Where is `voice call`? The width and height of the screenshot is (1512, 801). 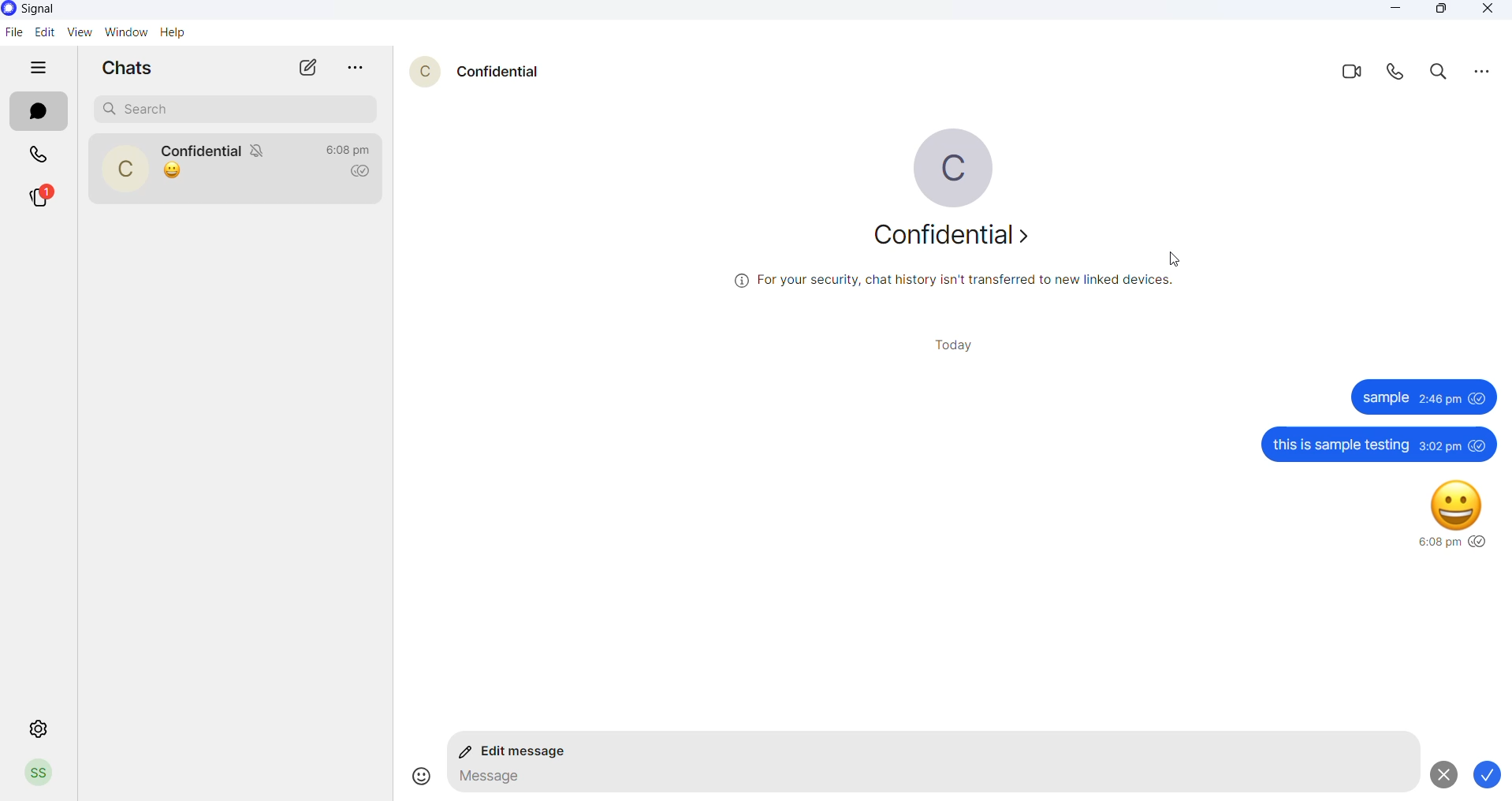
voice call is located at coordinates (1391, 74).